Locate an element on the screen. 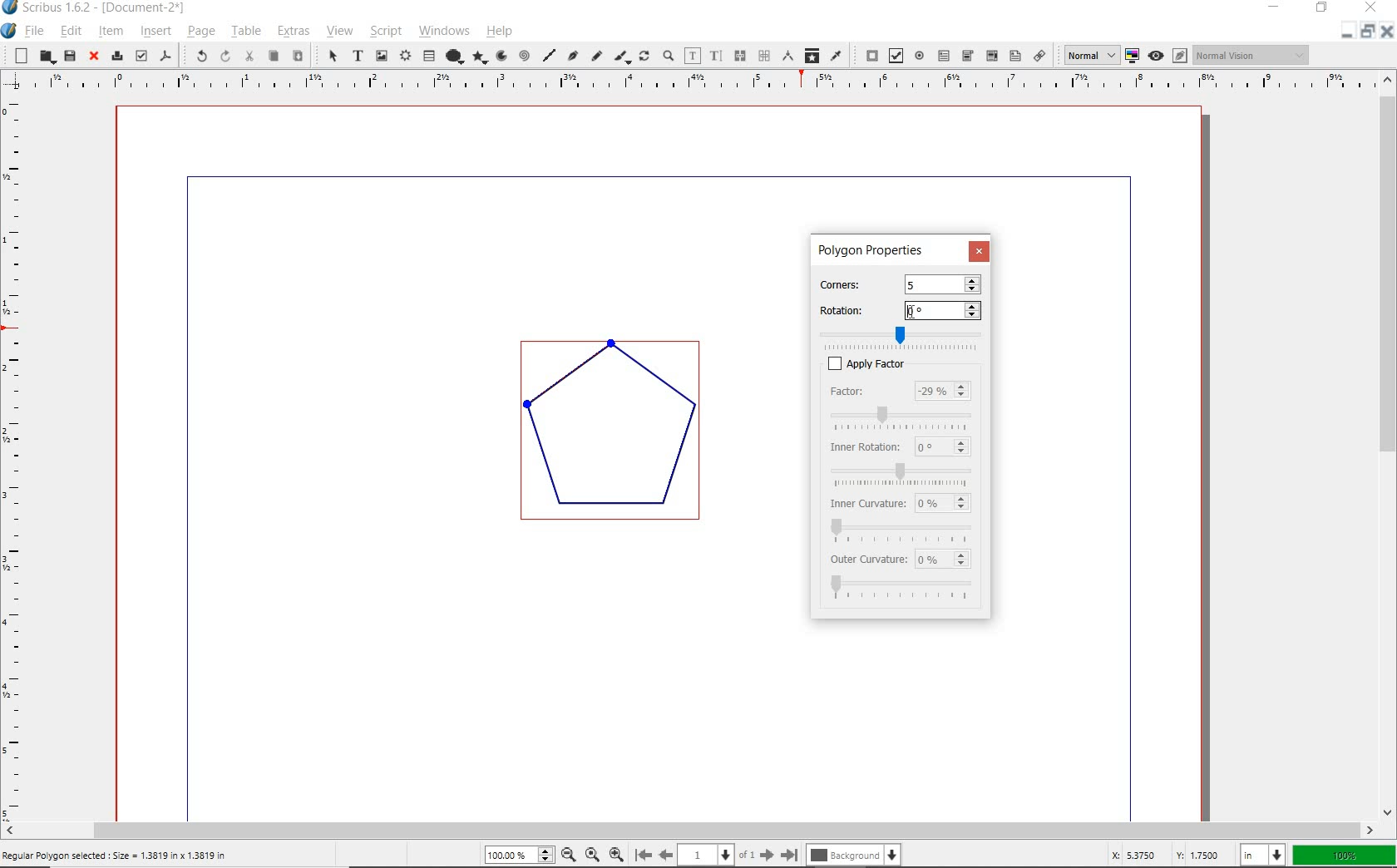 The width and height of the screenshot is (1397, 868). inner rotation input is located at coordinates (942, 446).